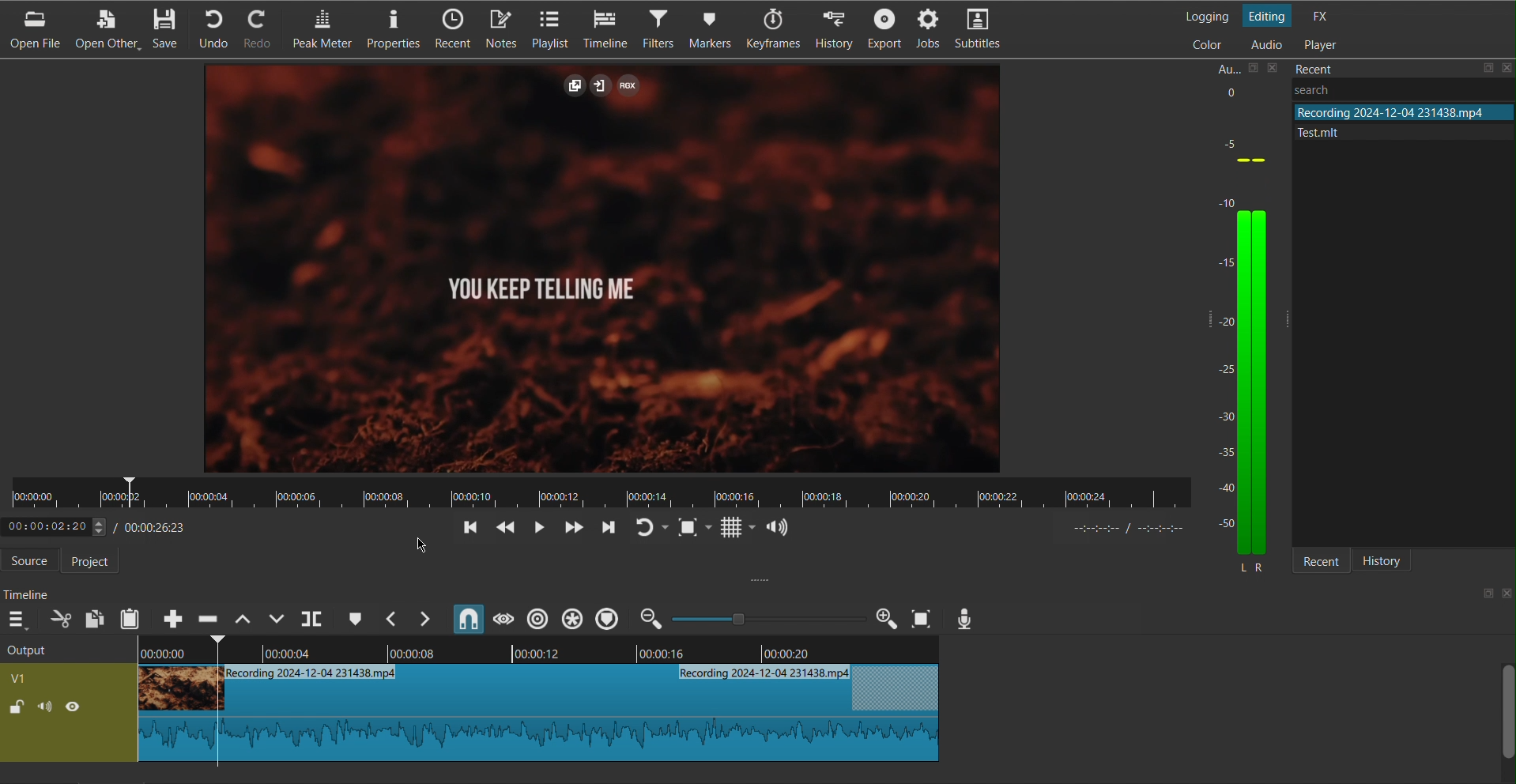  Describe the element at coordinates (1326, 66) in the screenshot. I see `Recent Files` at that location.